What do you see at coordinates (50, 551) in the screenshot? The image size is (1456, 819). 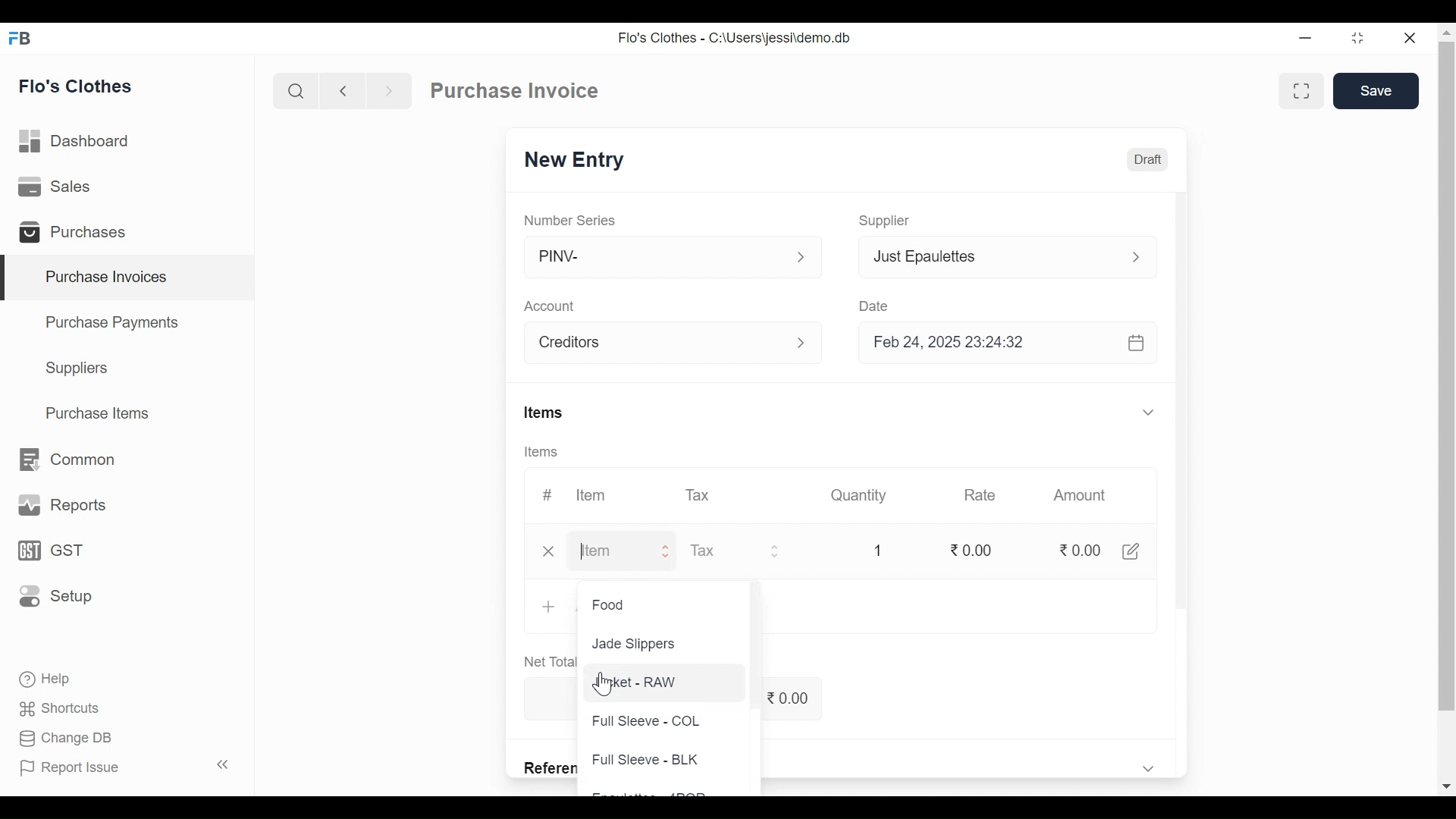 I see `GST` at bounding box center [50, 551].